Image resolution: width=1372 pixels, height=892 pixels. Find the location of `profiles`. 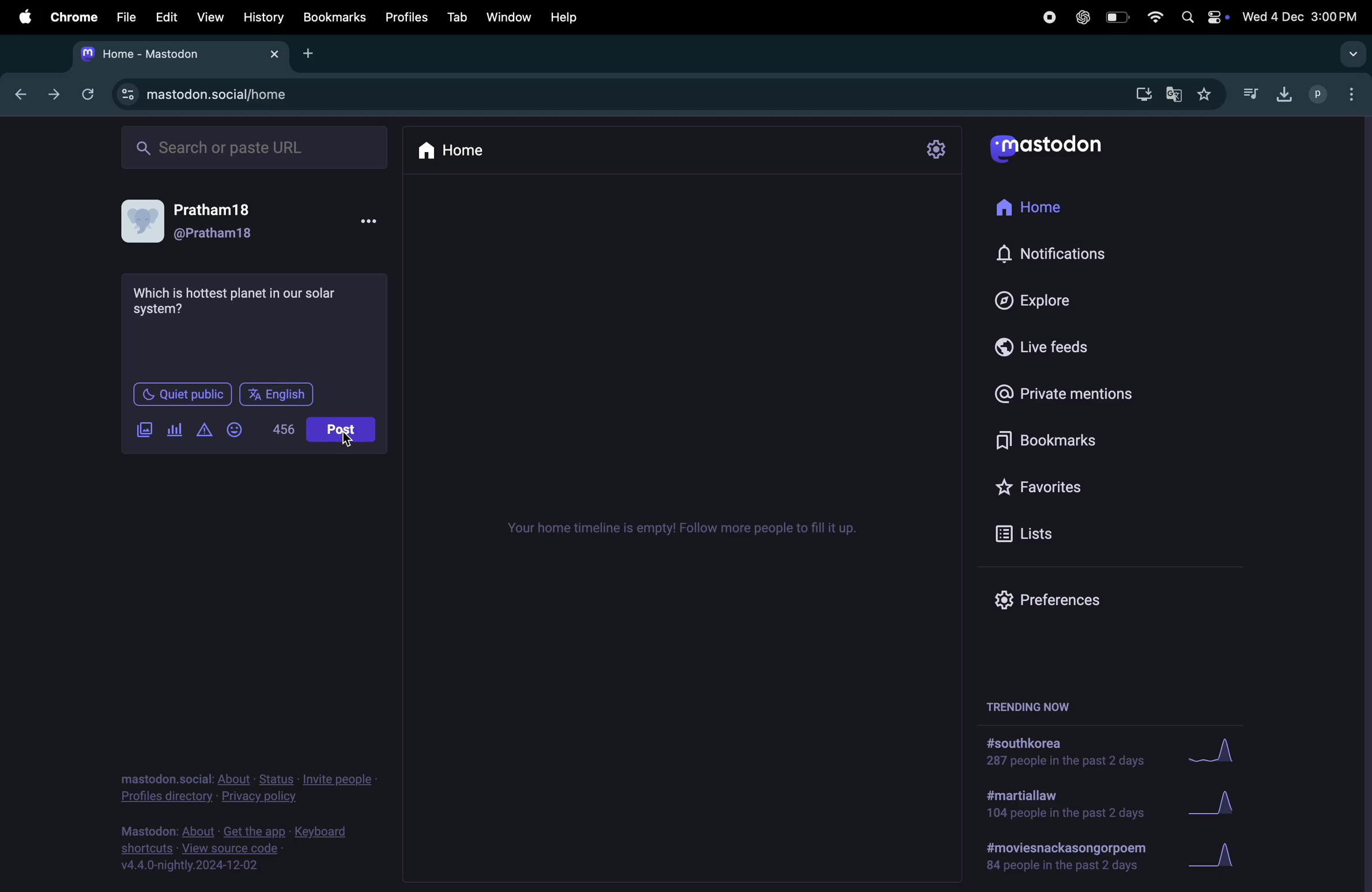

profiles is located at coordinates (1331, 95).